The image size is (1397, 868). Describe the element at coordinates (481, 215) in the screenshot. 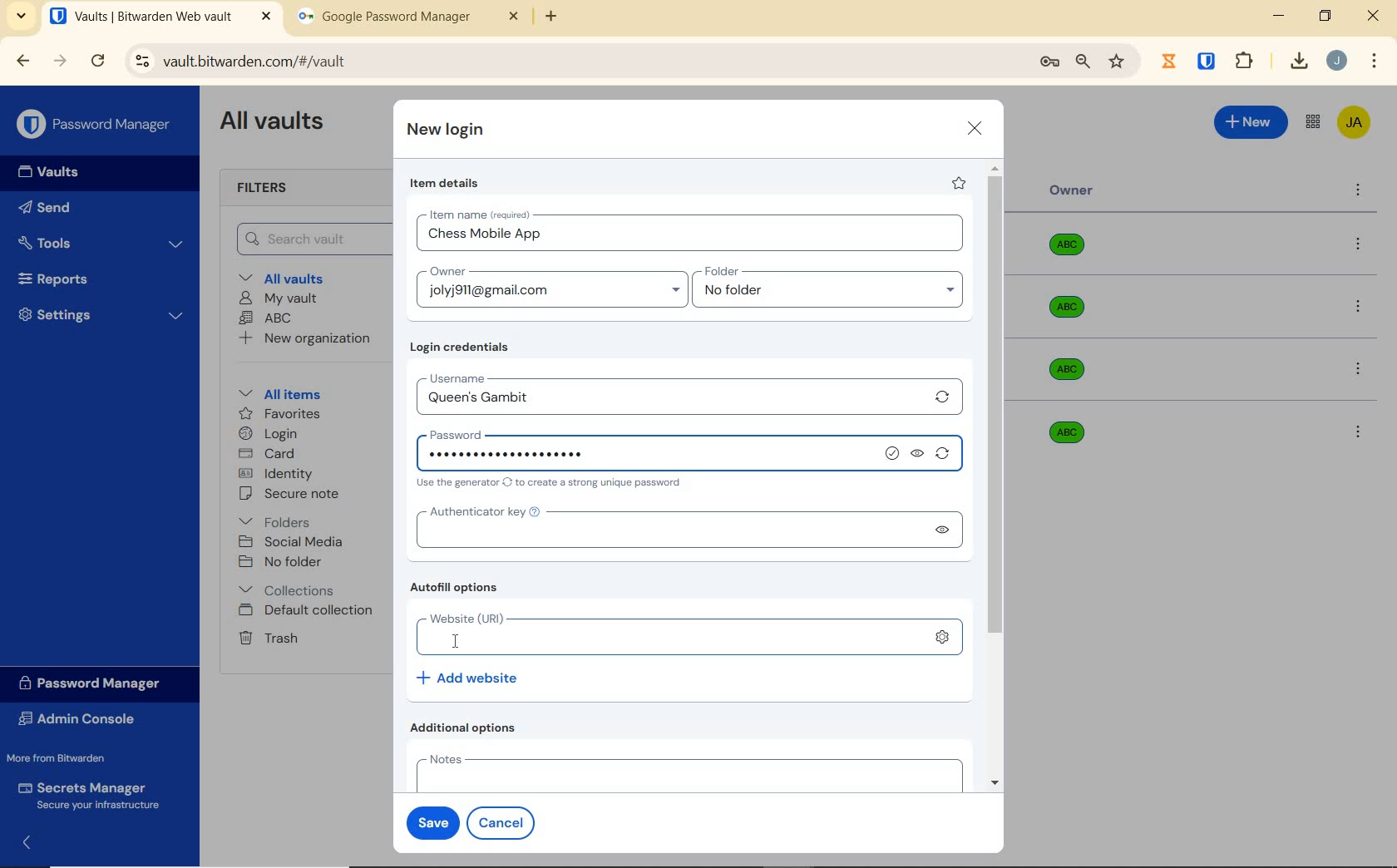

I see `Item name` at that location.